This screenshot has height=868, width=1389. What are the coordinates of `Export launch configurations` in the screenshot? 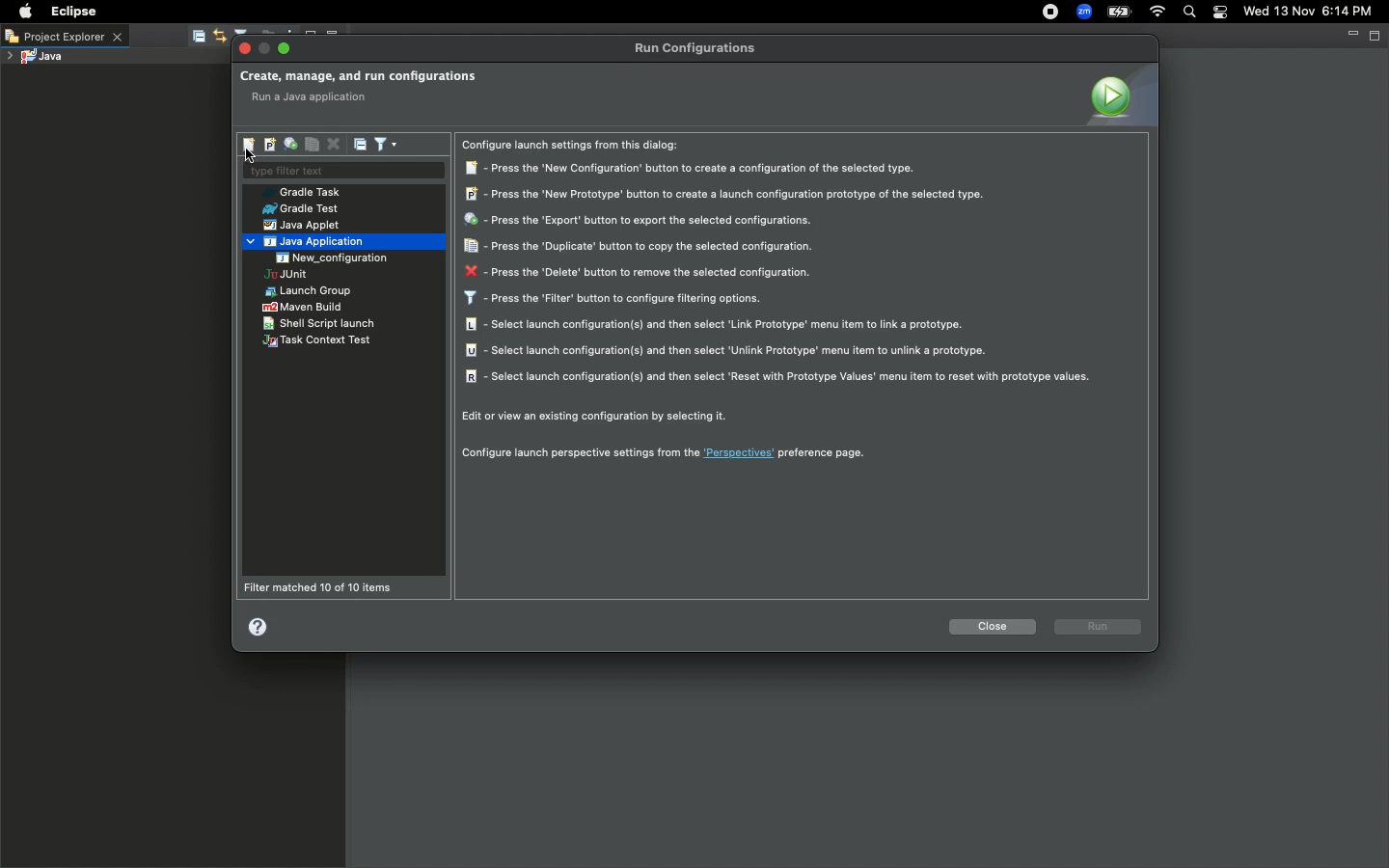 It's located at (289, 145).